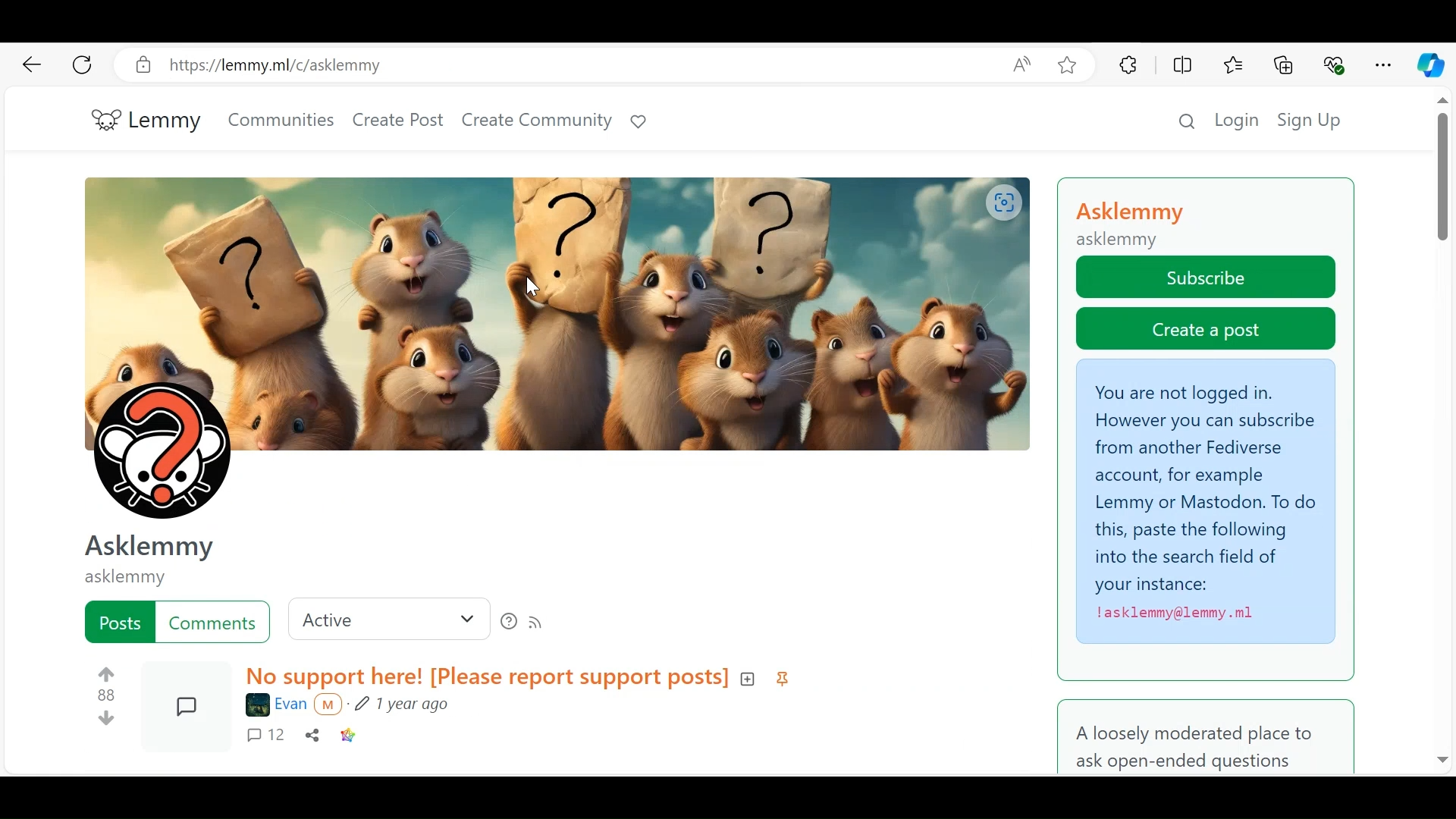 The height and width of the screenshot is (819, 1456). Describe the element at coordinates (1188, 119) in the screenshot. I see `Search` at that location.